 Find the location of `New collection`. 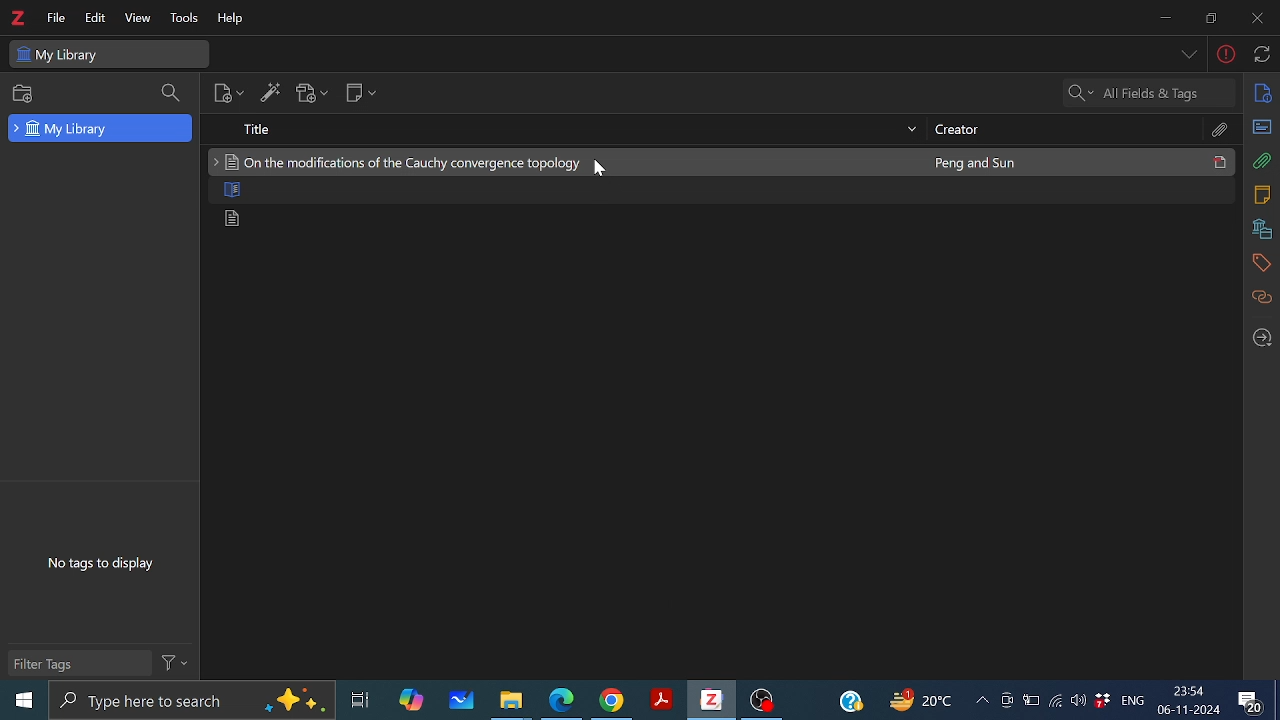

New collection is located at coordinates (19, 94).